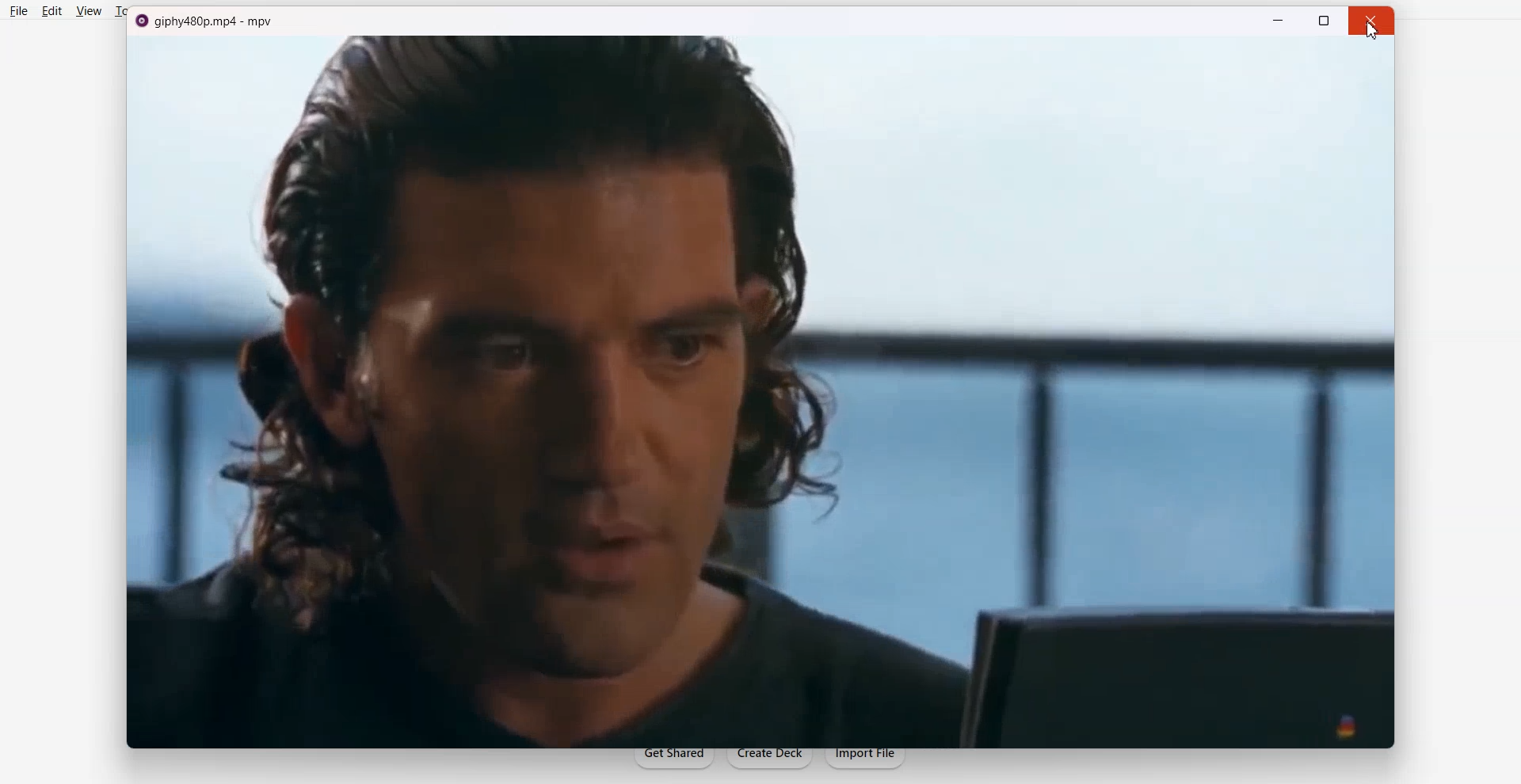 This screenshot has width=1521, height=784. What do you see at coordinates (1323, 21) in the screenshot?
I see `Maximize` at bounding box center [1323, 21].